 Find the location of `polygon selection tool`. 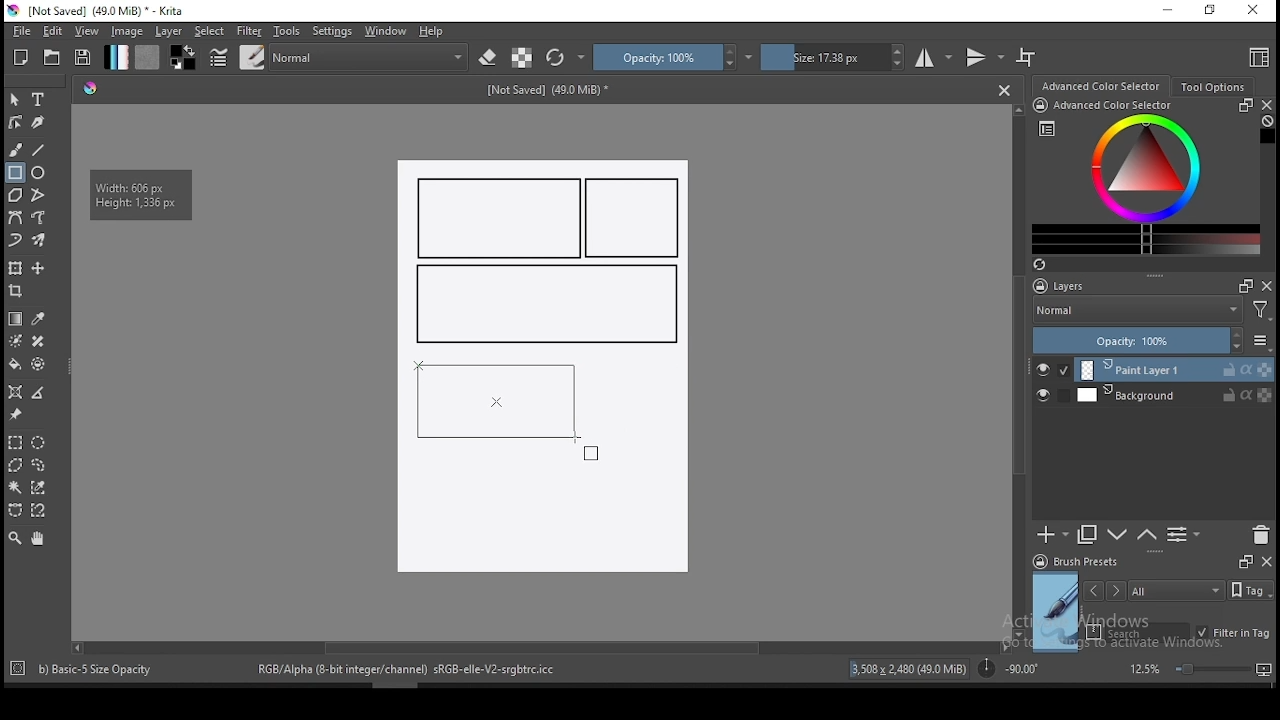

polygon selection tool is located at coordinates (16, 465).